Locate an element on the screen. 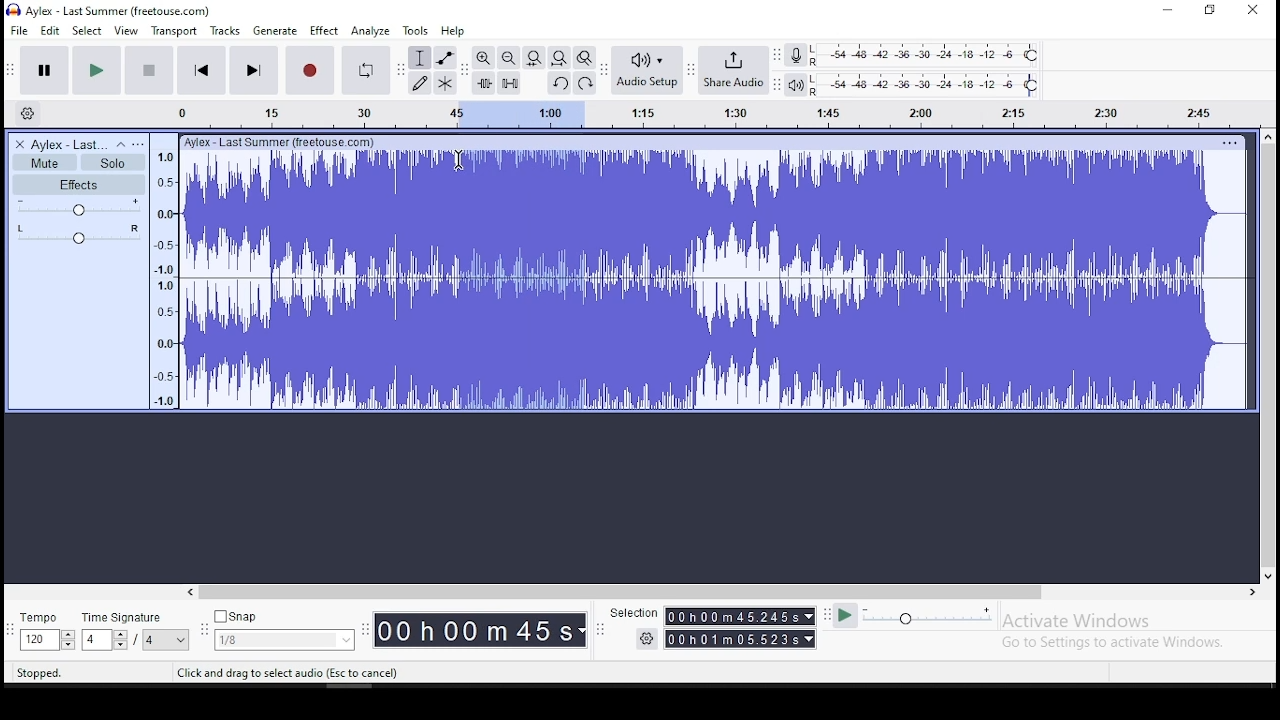 The height and width of the screenshot is (720, 1280). undo is located at coordinates (558, 83).